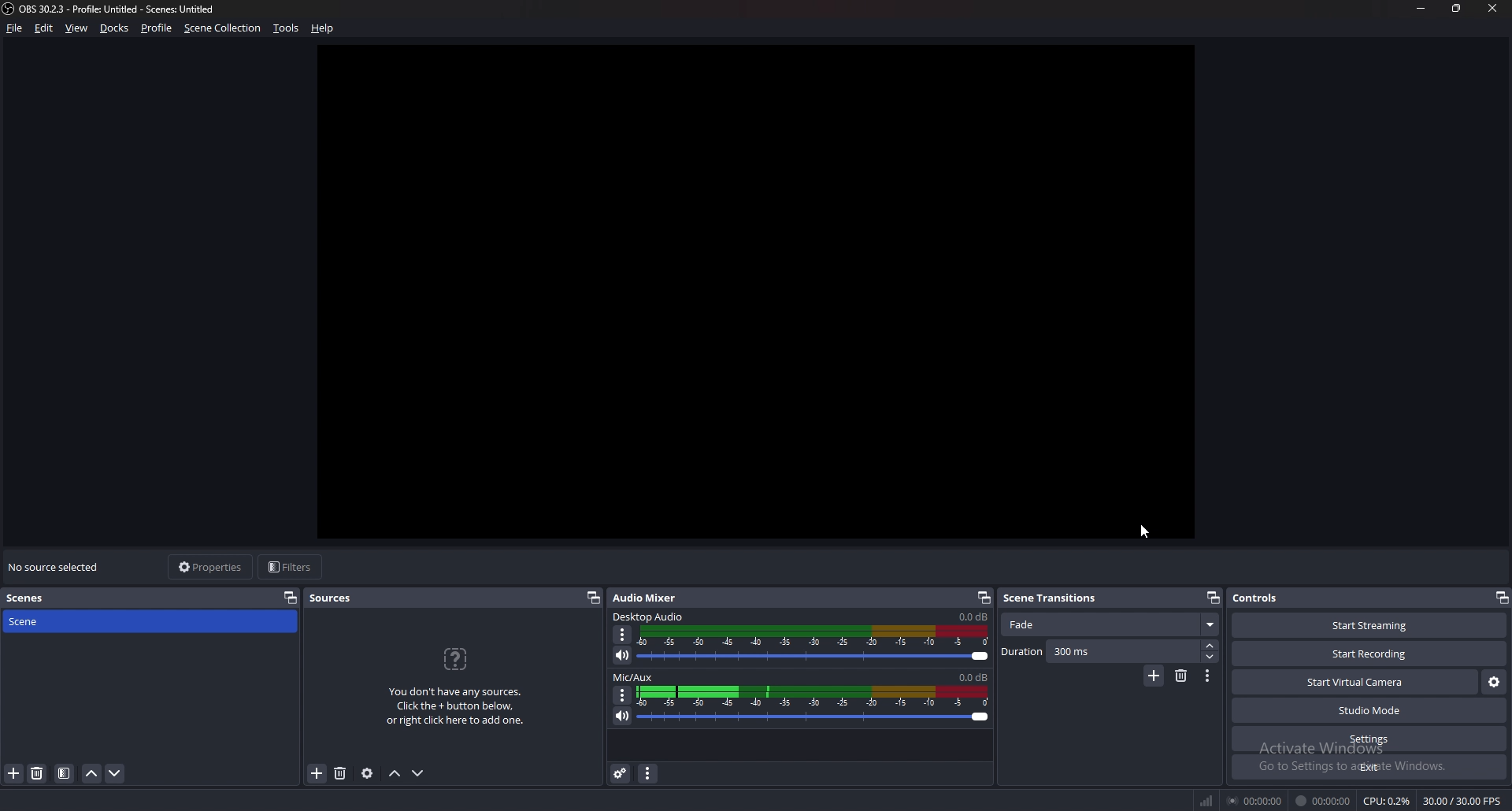 This screenshot has width=1512, height=811. What do you see at coordinates (1209, 798) in the screenshot?
I see `network` at bounding box center [1209, 798].